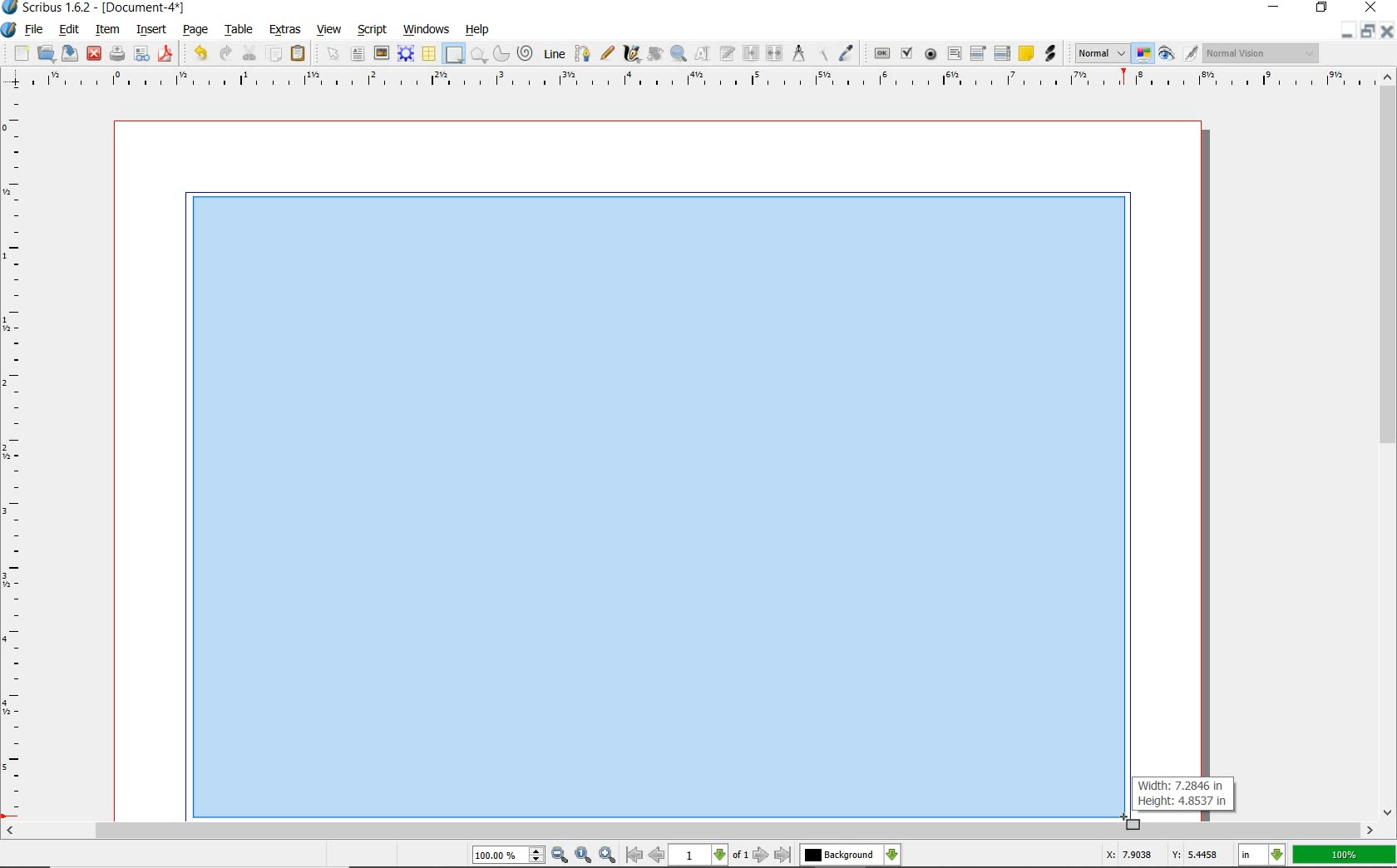  What do you see at coordinates (479, 31) in the screenshot?
I see `help` at bounding box center [479, 31].